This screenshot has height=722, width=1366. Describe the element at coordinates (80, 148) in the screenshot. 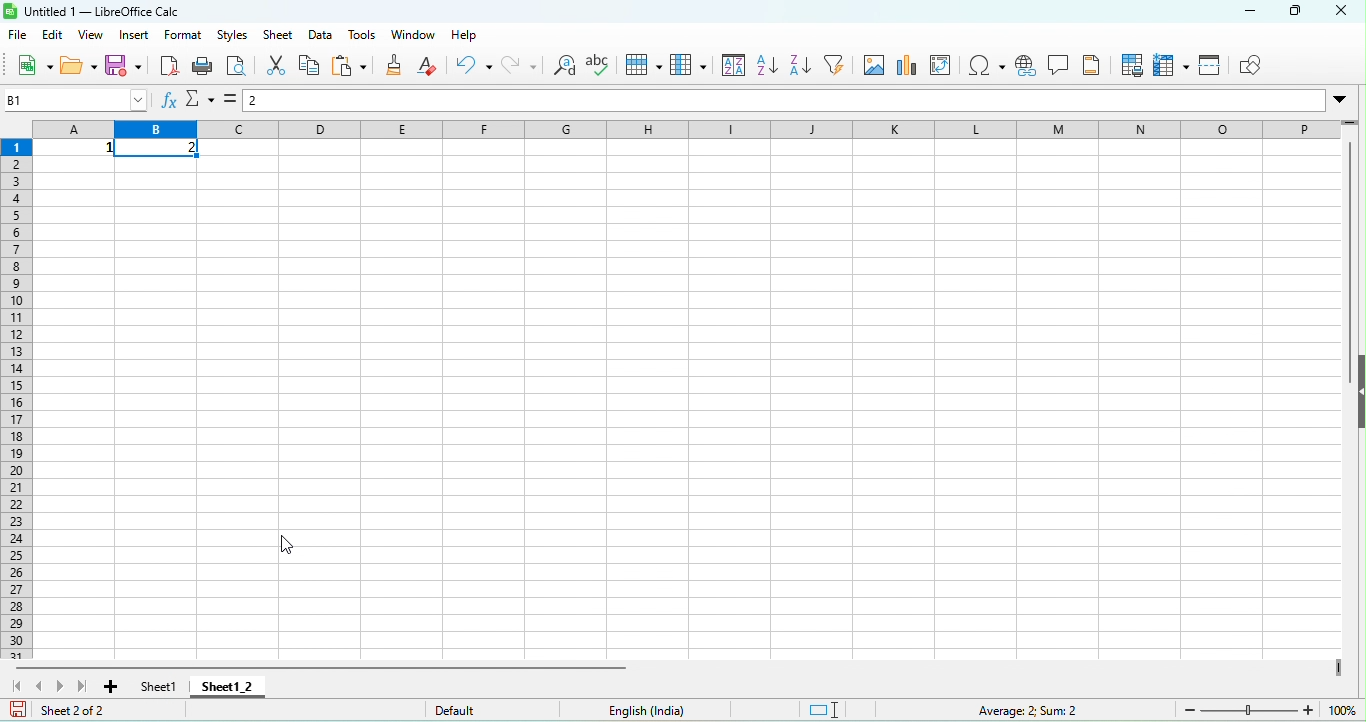

I see `1` at that location.